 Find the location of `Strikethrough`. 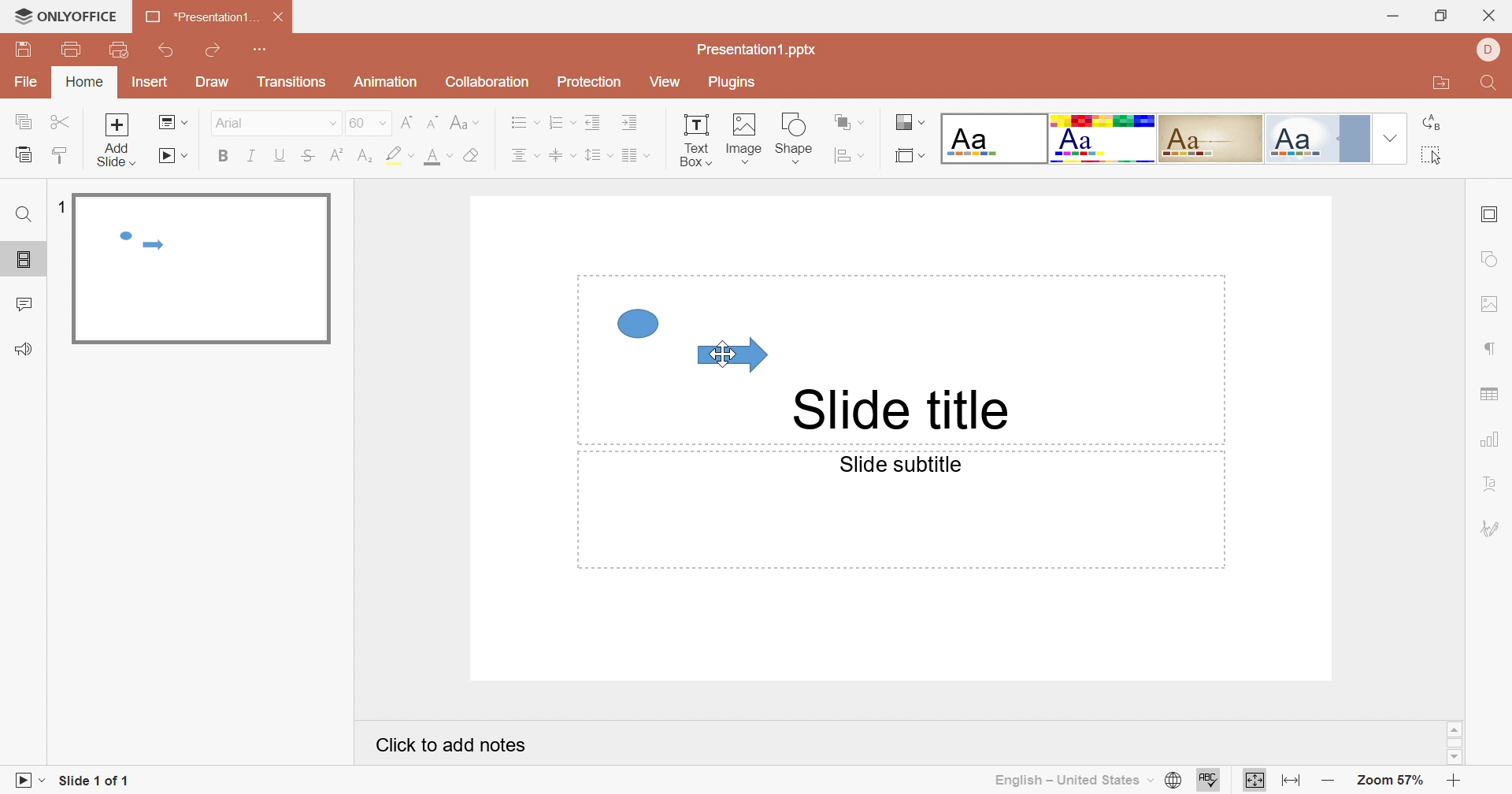

Strikethrough is located at coordinates (308, 158).